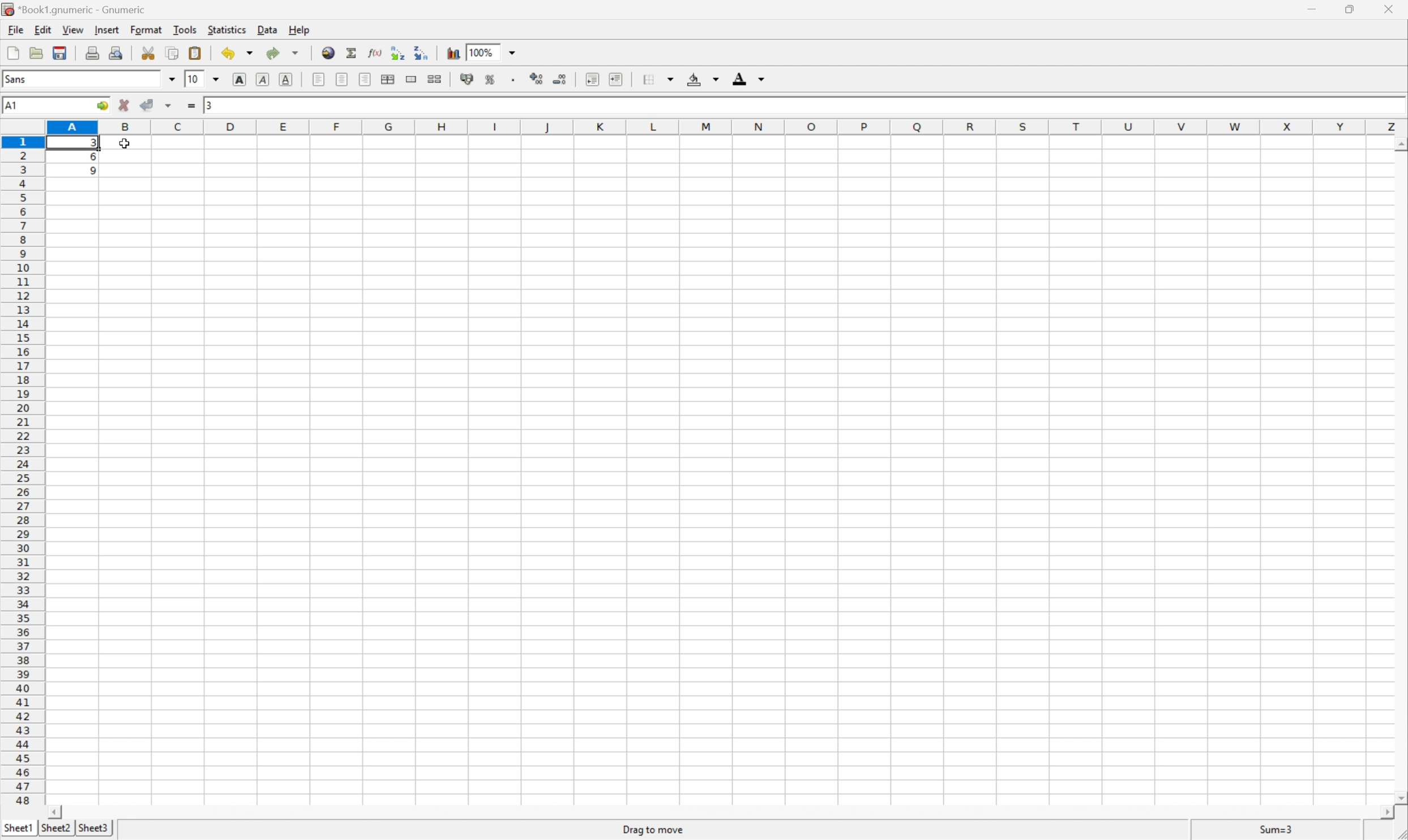 The image size is (1408, 840). What do you see at coordinates (117, 51) in the screenshot?
I see `Print preview` at bounding box center [117, 51].